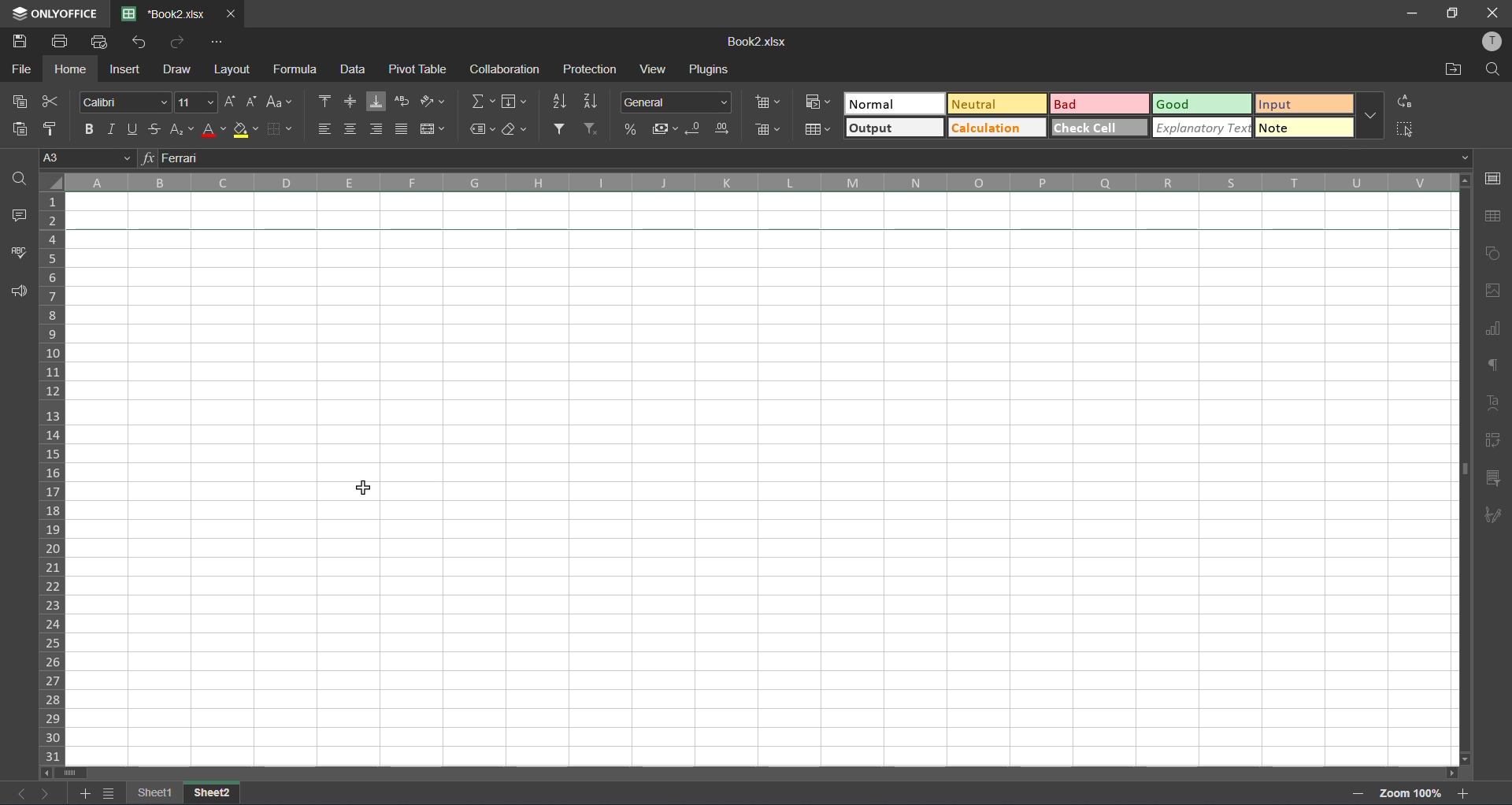  What do you see at coordinates (125, 101) in the screenshot?
I see `font style` at bounding box center [125, 101].